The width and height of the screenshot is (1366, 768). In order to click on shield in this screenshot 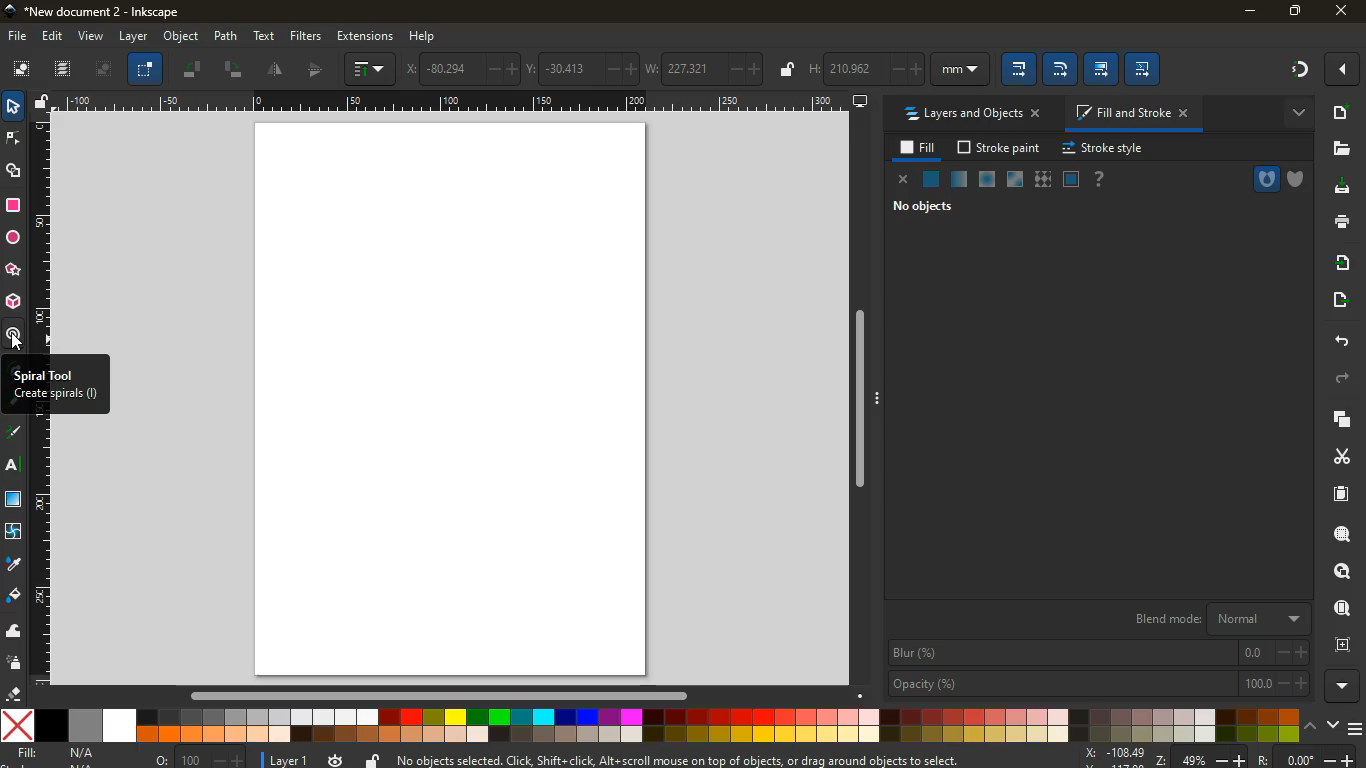, I will do `click(1299, 179)`.